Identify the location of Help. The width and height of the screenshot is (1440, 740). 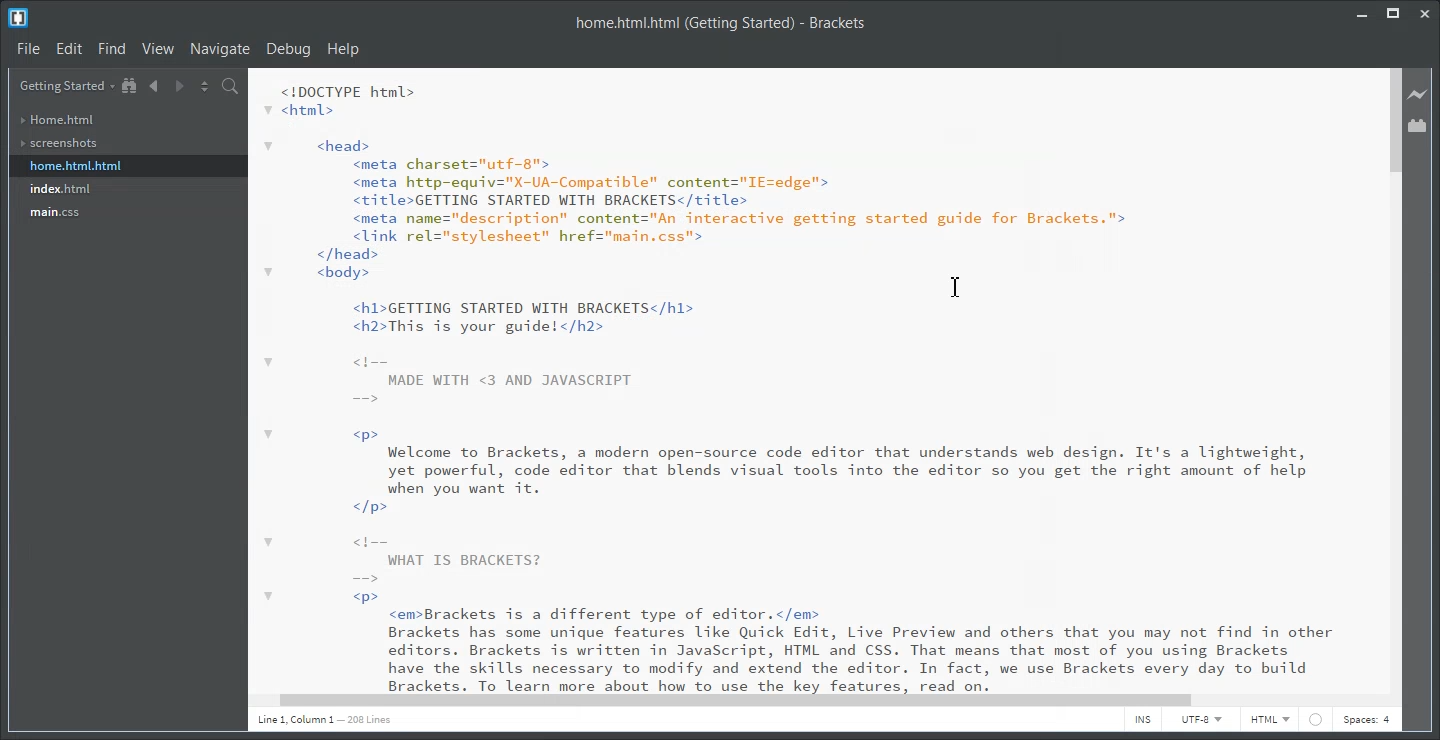
(344, 49).